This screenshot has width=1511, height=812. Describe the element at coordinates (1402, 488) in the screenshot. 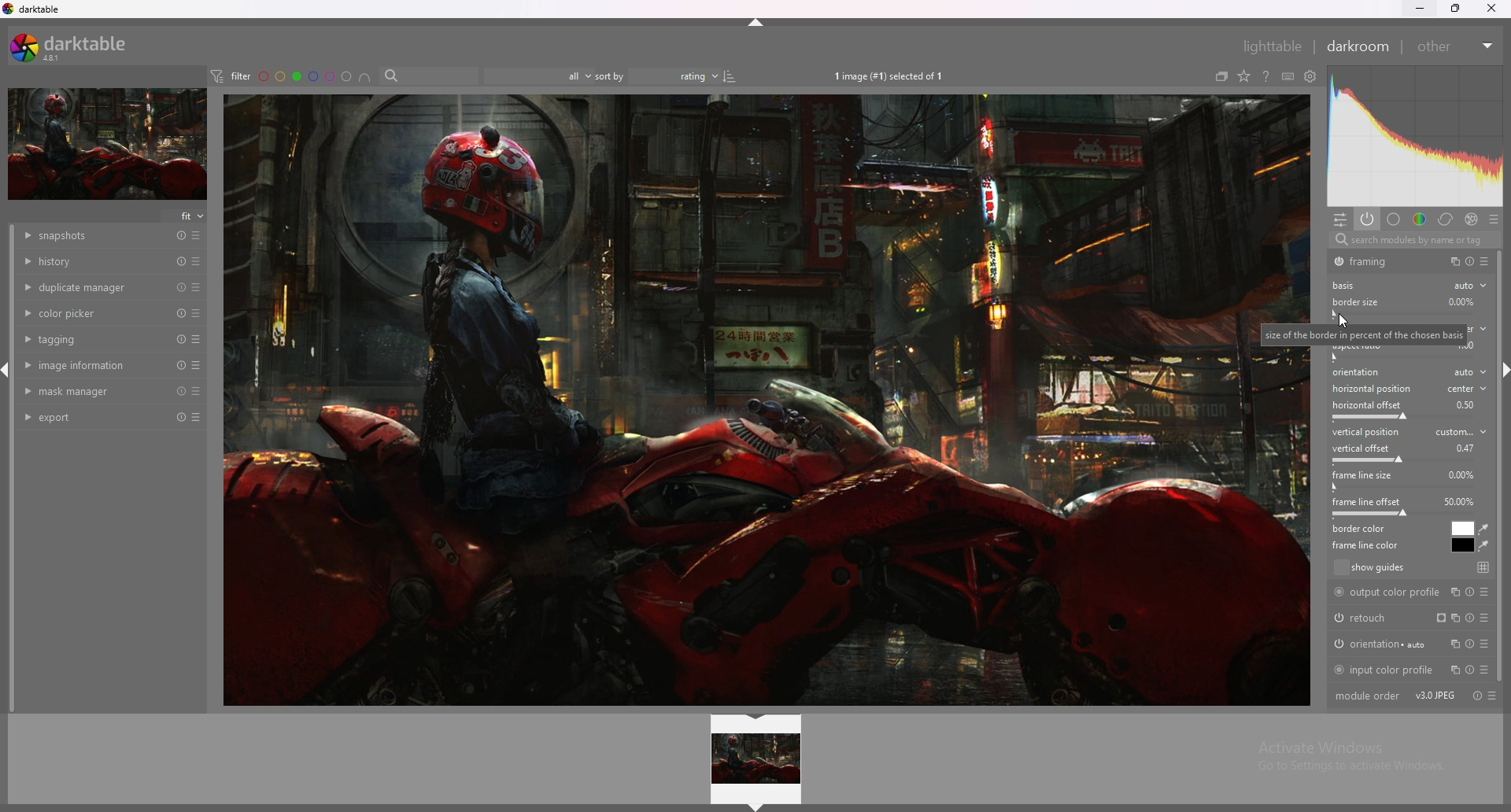

I see `frame line size bar` at that location.